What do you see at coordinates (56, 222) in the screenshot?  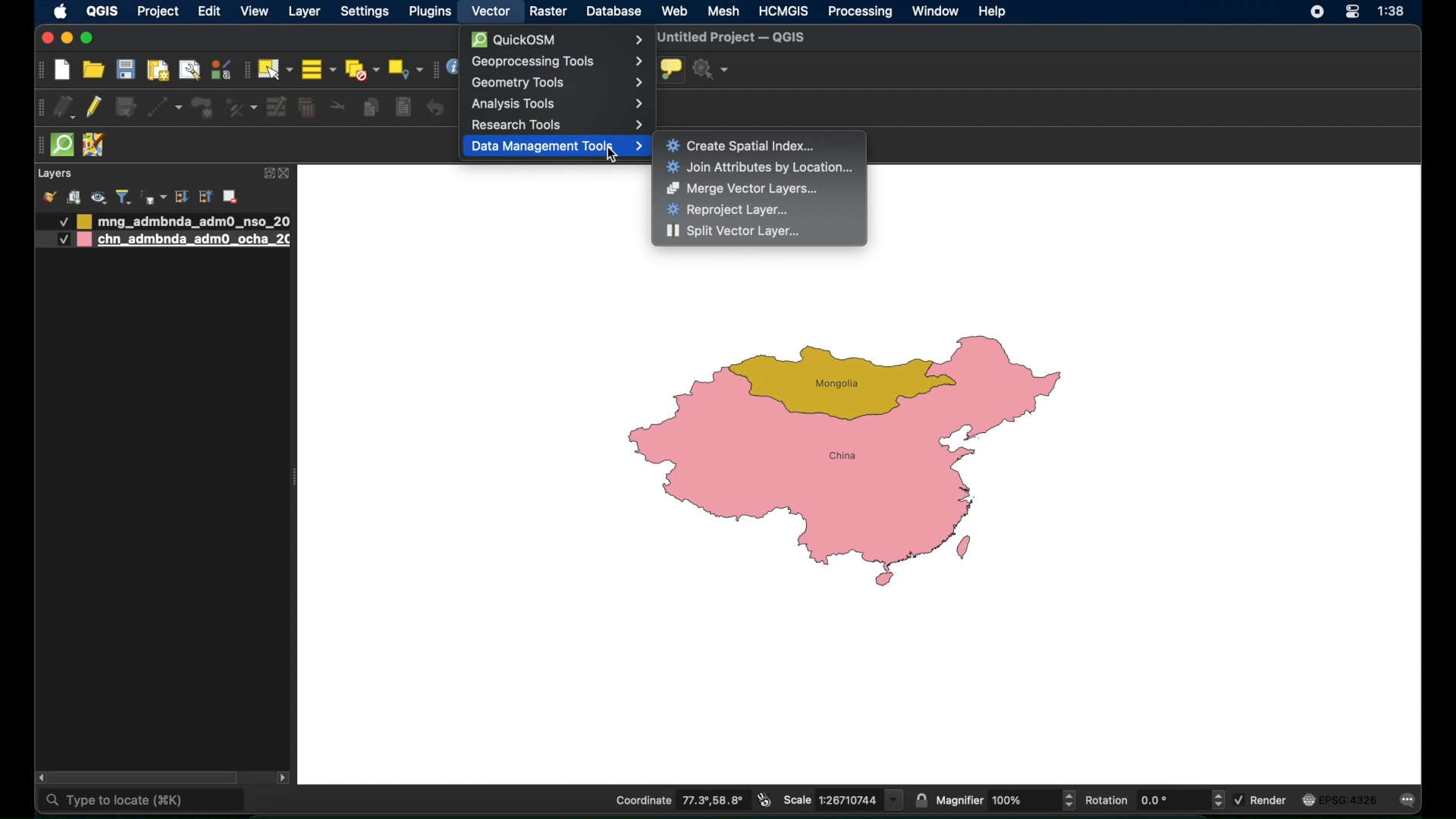 I see `` at bounding box center [56, 222].